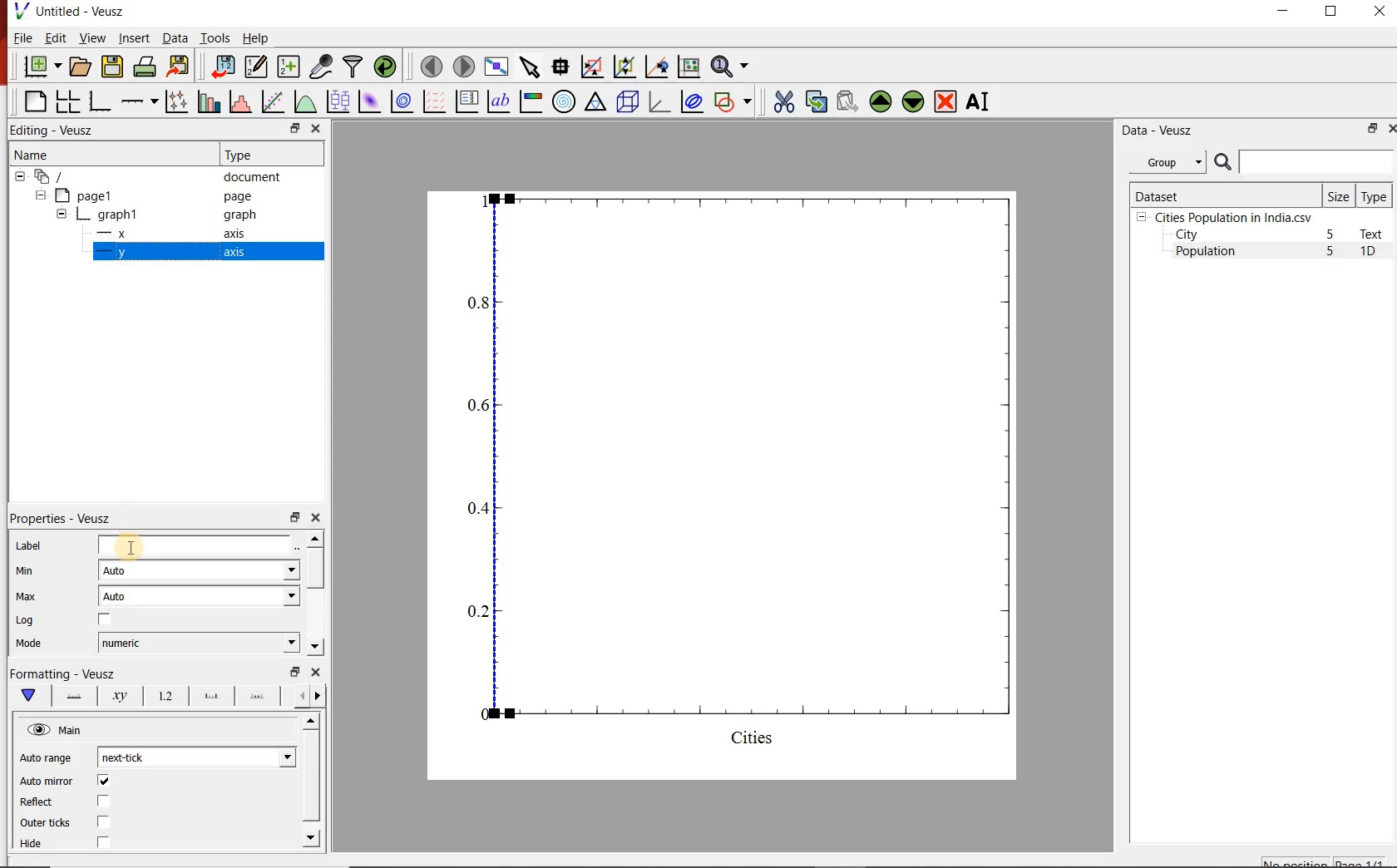 The image size is (1397, 868). Describe the element at coordinates (979, 101) in the screenshot. I see `renames the selected widget` at that location.